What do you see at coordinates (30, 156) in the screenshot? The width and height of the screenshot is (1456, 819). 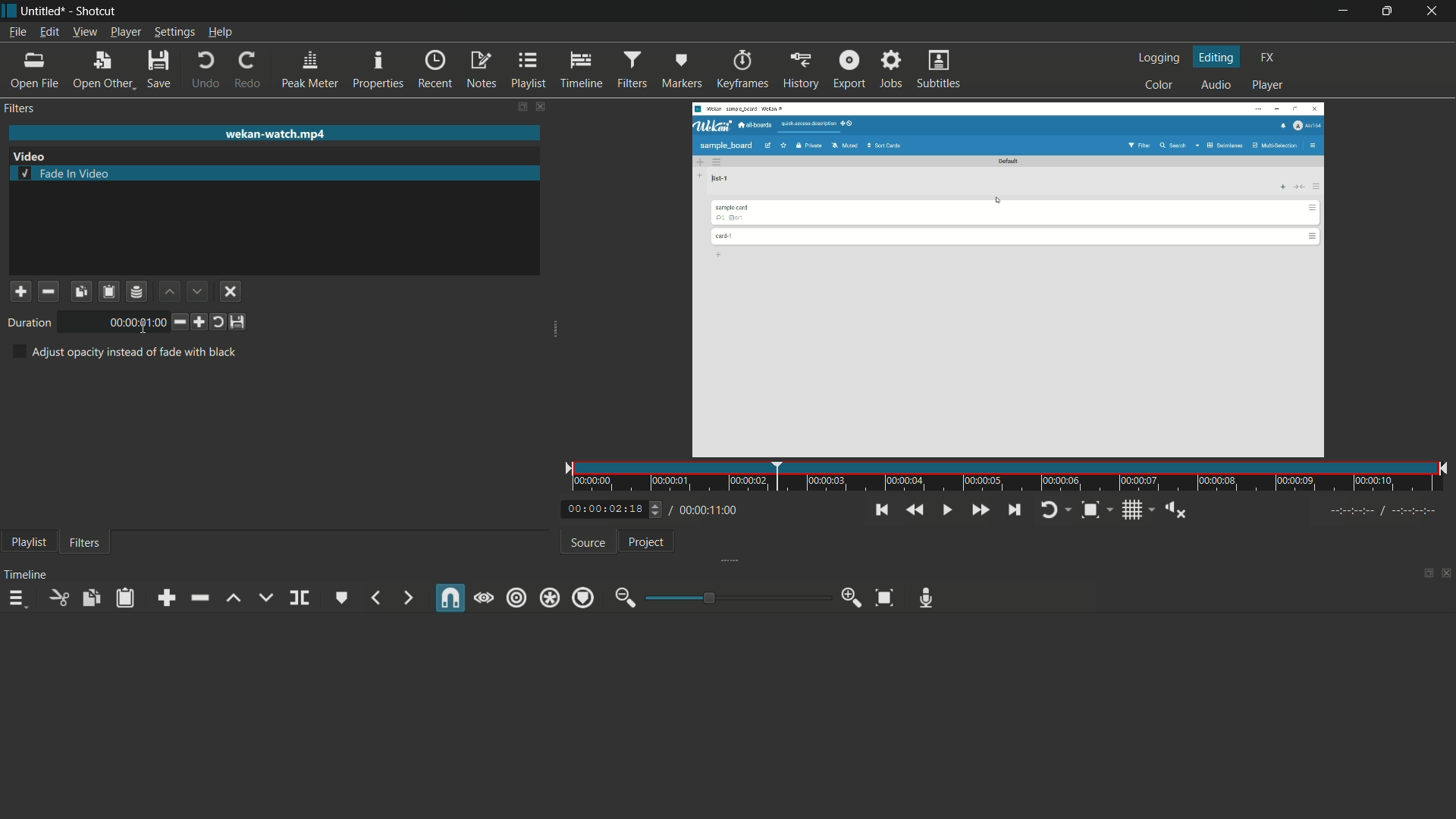 I see `video` at bounding box center [30, 156].